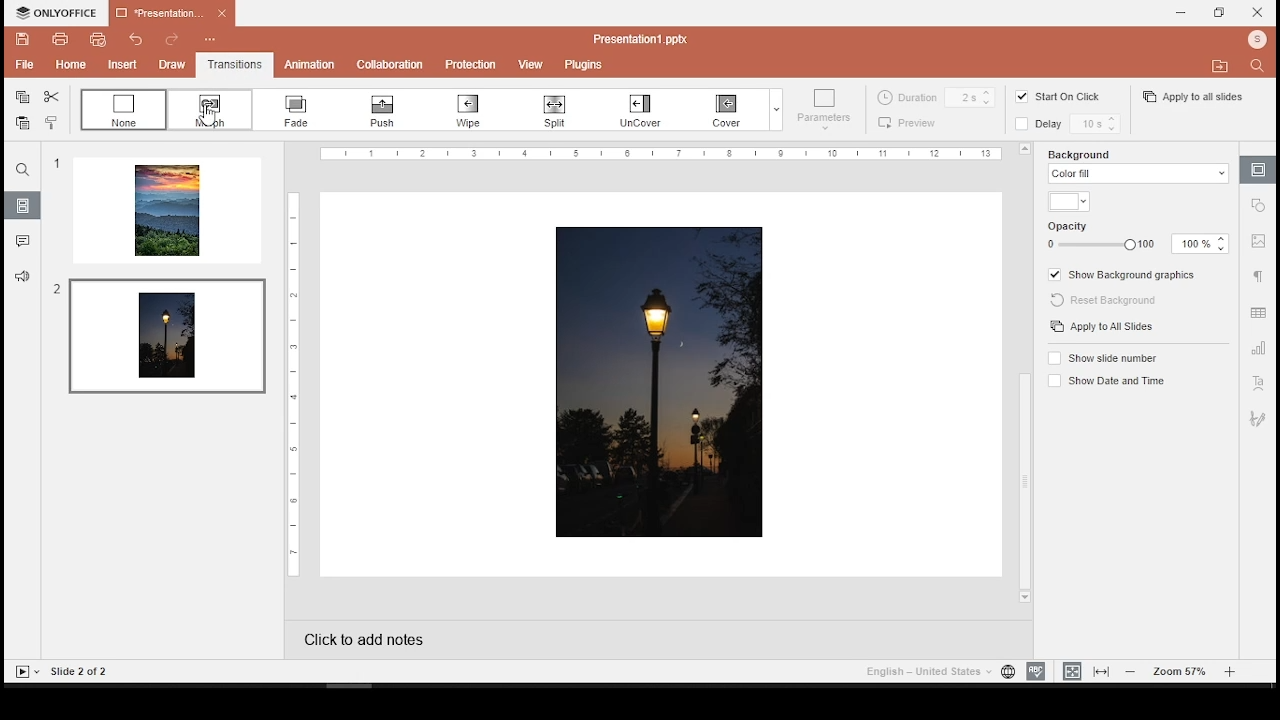 This screenshot has width=1280, height=720. What do you see at coordinates (529, 63) in the screenshot?
I see `view` at bounding box center [529, 63].